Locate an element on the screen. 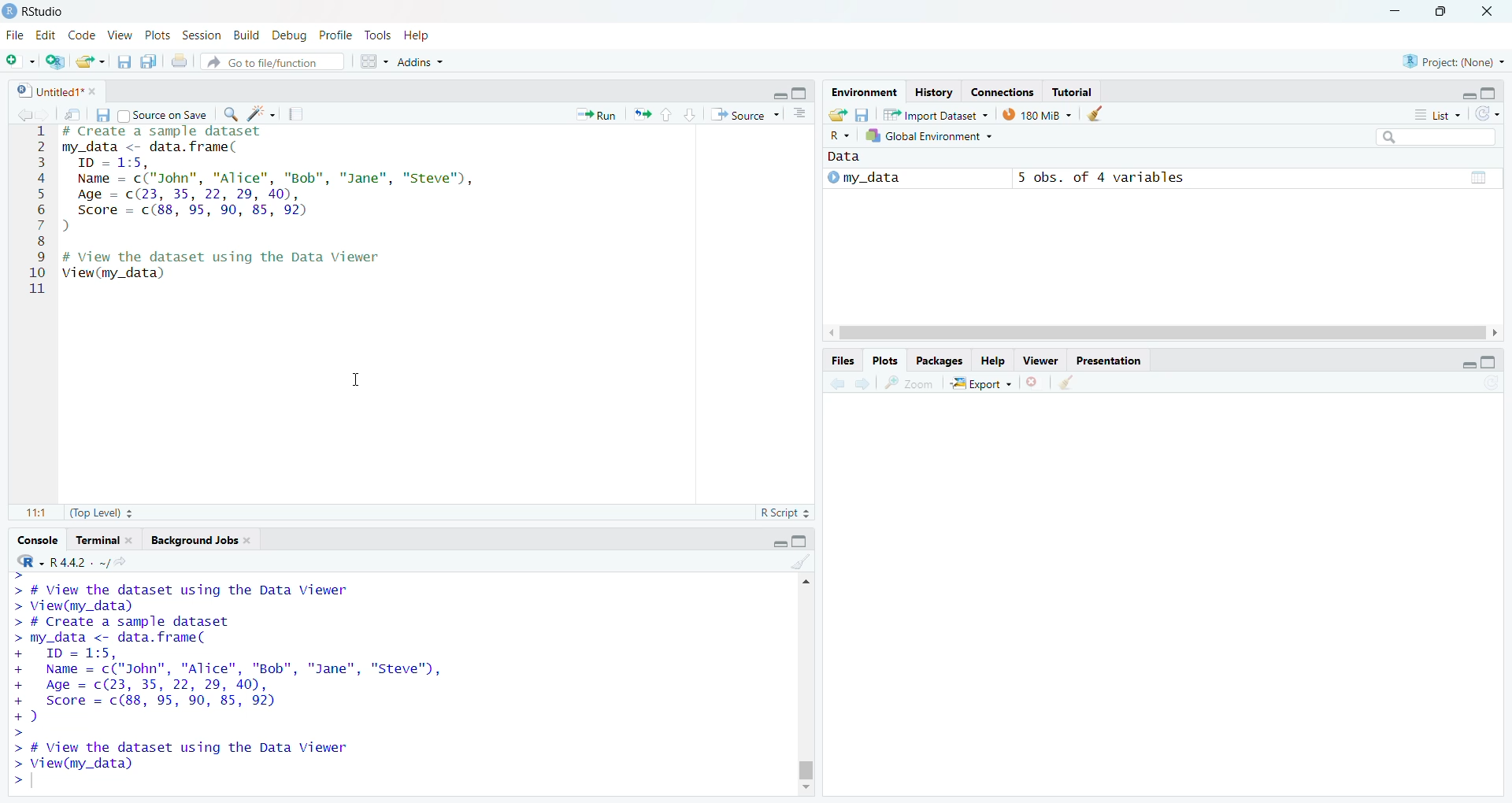 Image resolution: width=1512 pixels, height=803 pixels. Back  is located at coordinates (835, 383).